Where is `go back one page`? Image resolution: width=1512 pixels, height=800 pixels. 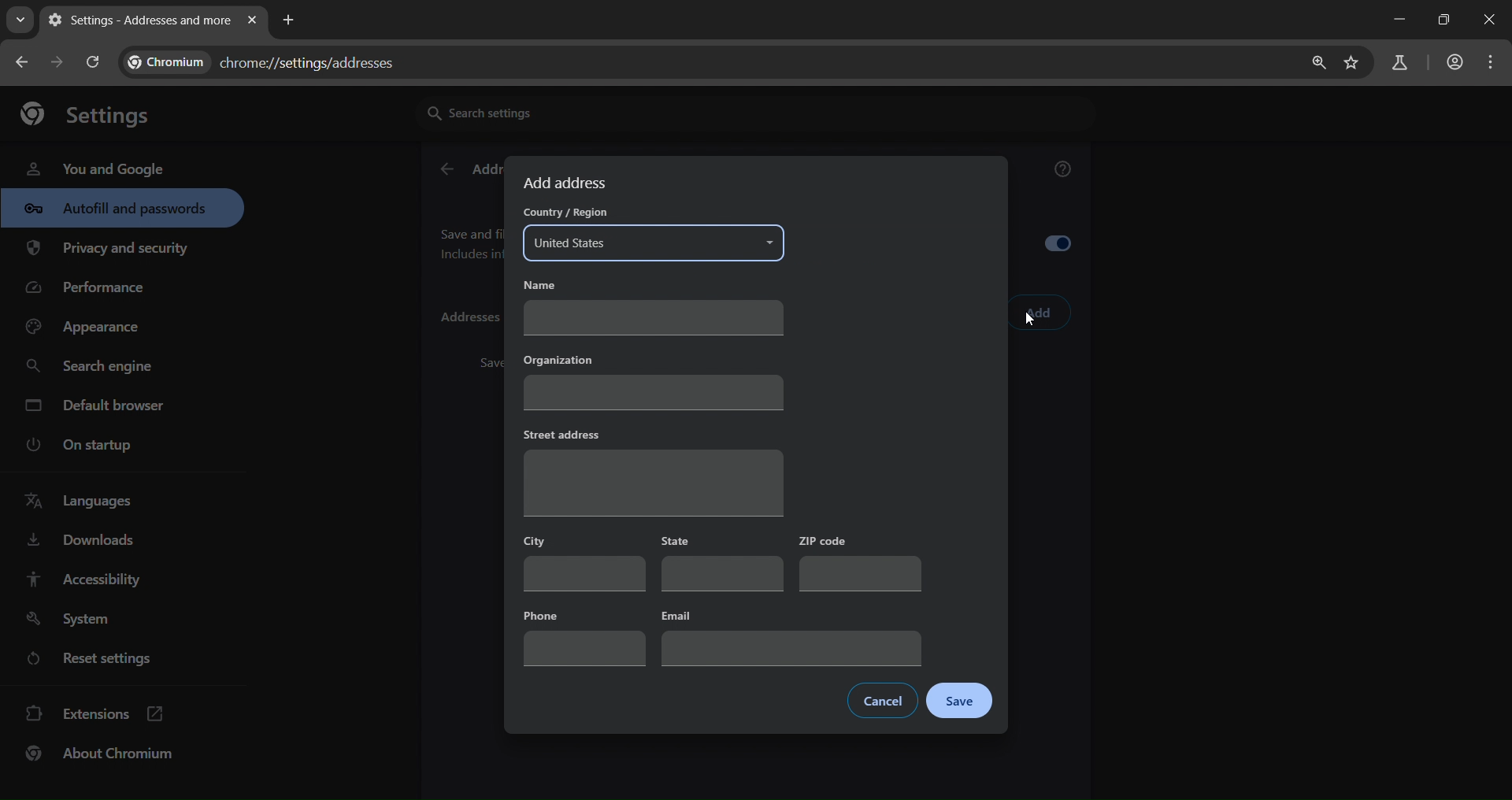
go back one page is located at coordinates (60, 61).